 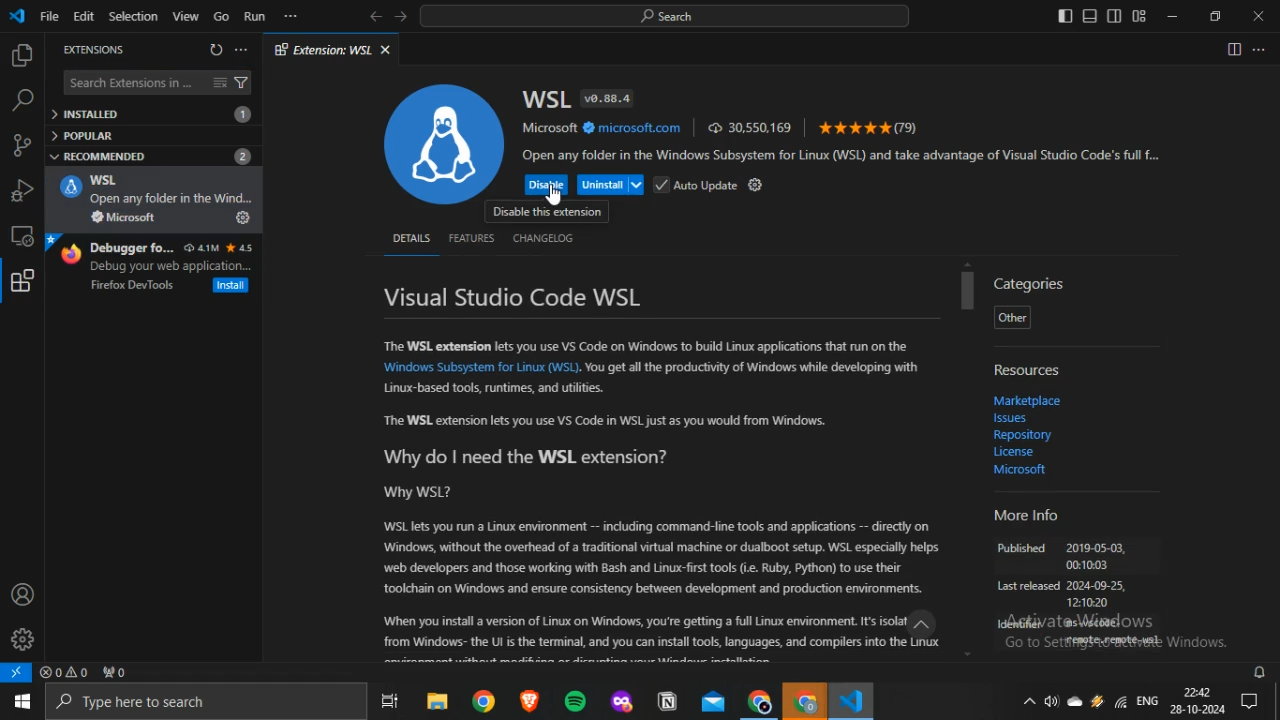 What do you see at coordinates (242, 83) in the screenshot?
I see `filter` at bounding box center [242, 83].